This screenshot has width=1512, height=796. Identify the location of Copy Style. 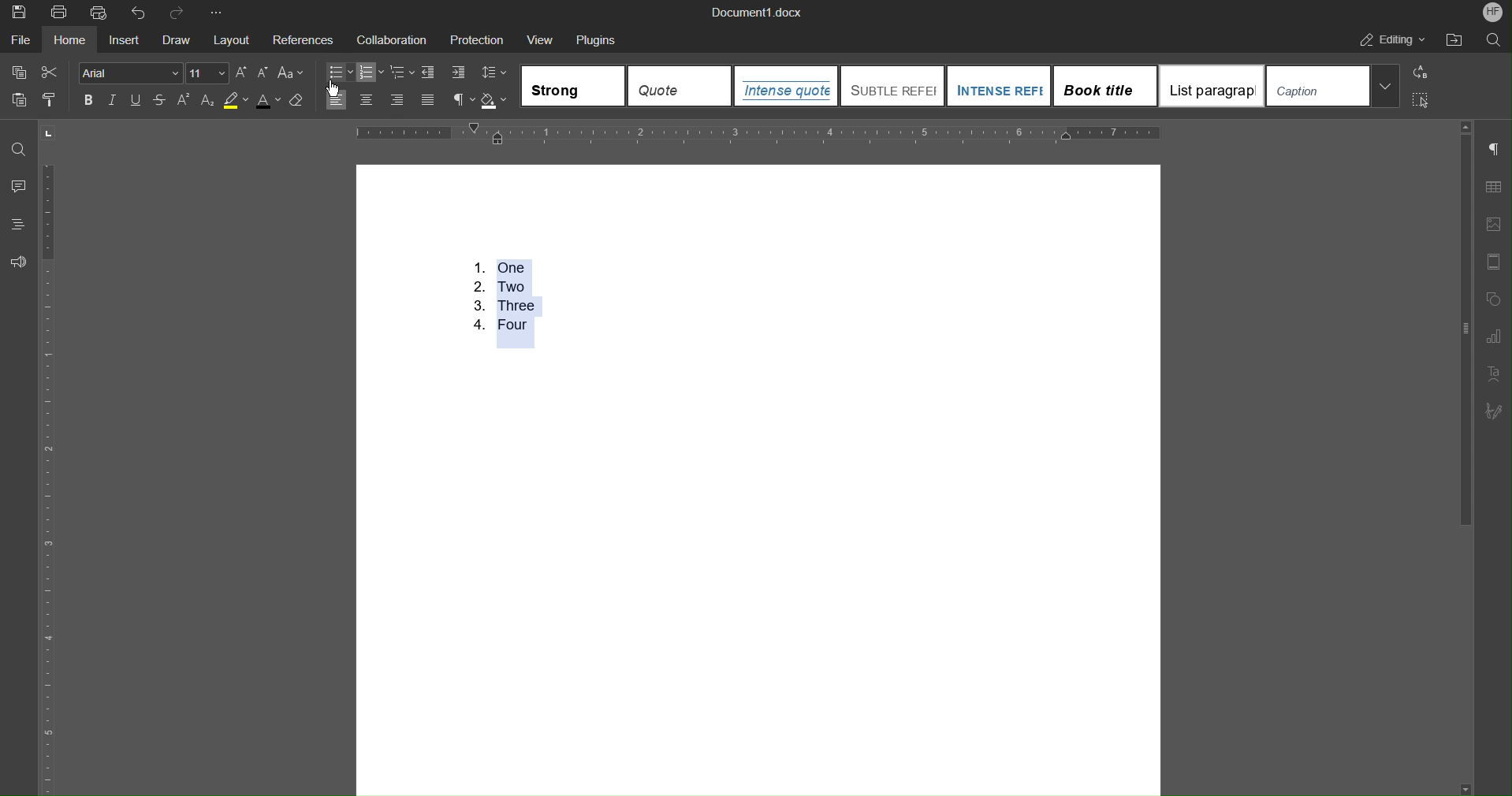
(53, 100).